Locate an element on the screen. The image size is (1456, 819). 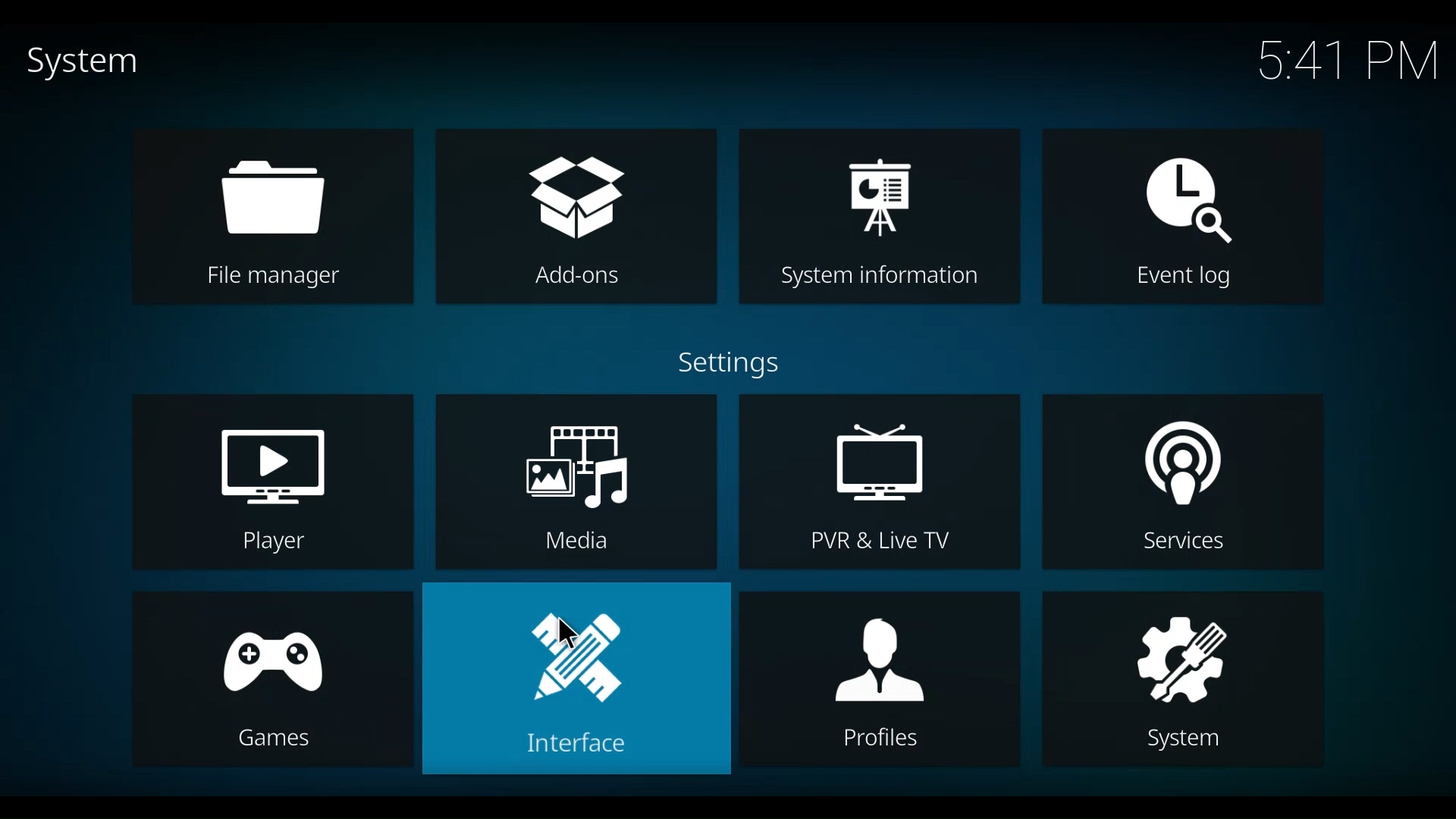
Settings is located at coordinates (736, 364).